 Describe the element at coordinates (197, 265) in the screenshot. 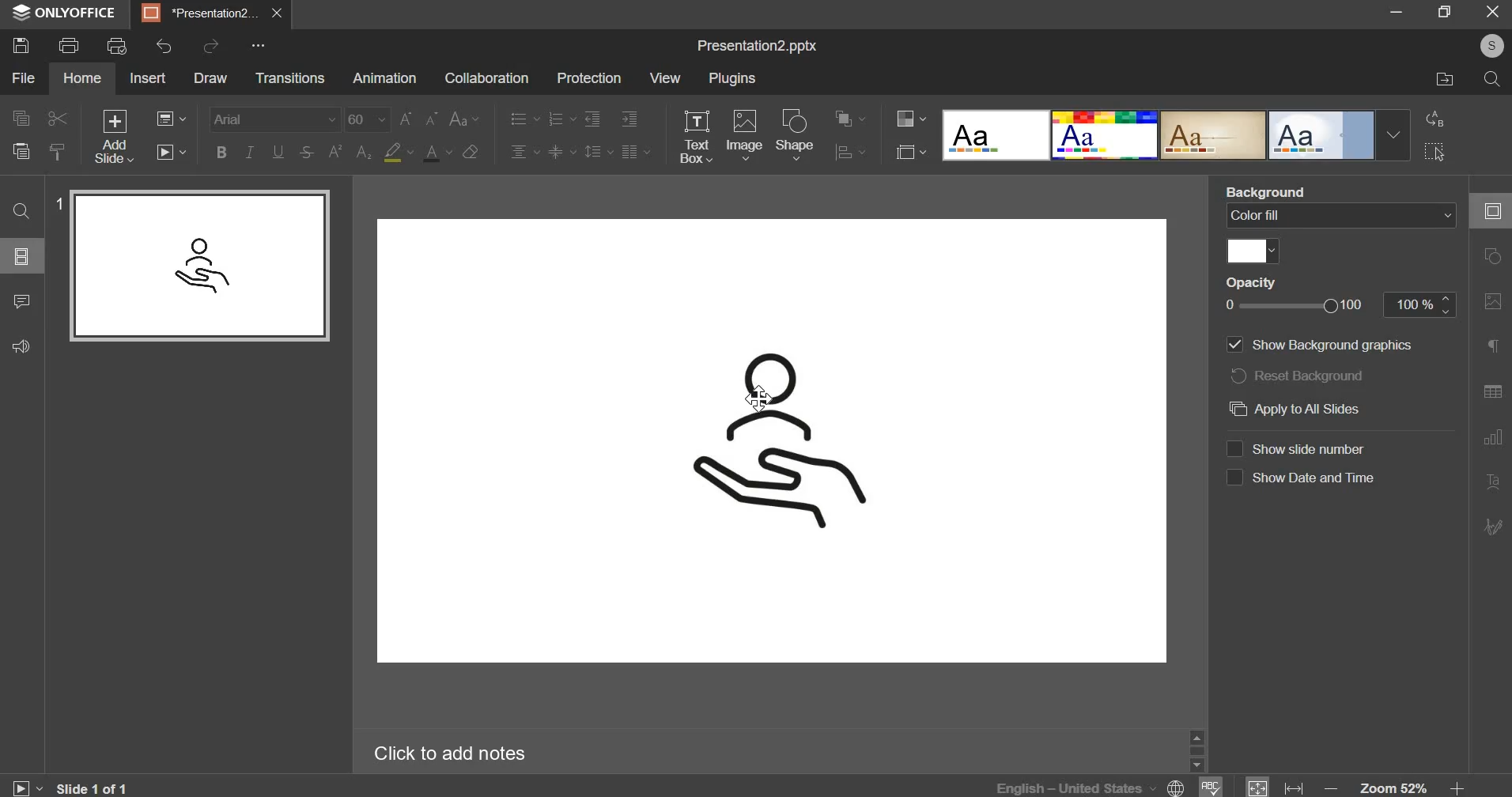

I see `slide preview` at that location.